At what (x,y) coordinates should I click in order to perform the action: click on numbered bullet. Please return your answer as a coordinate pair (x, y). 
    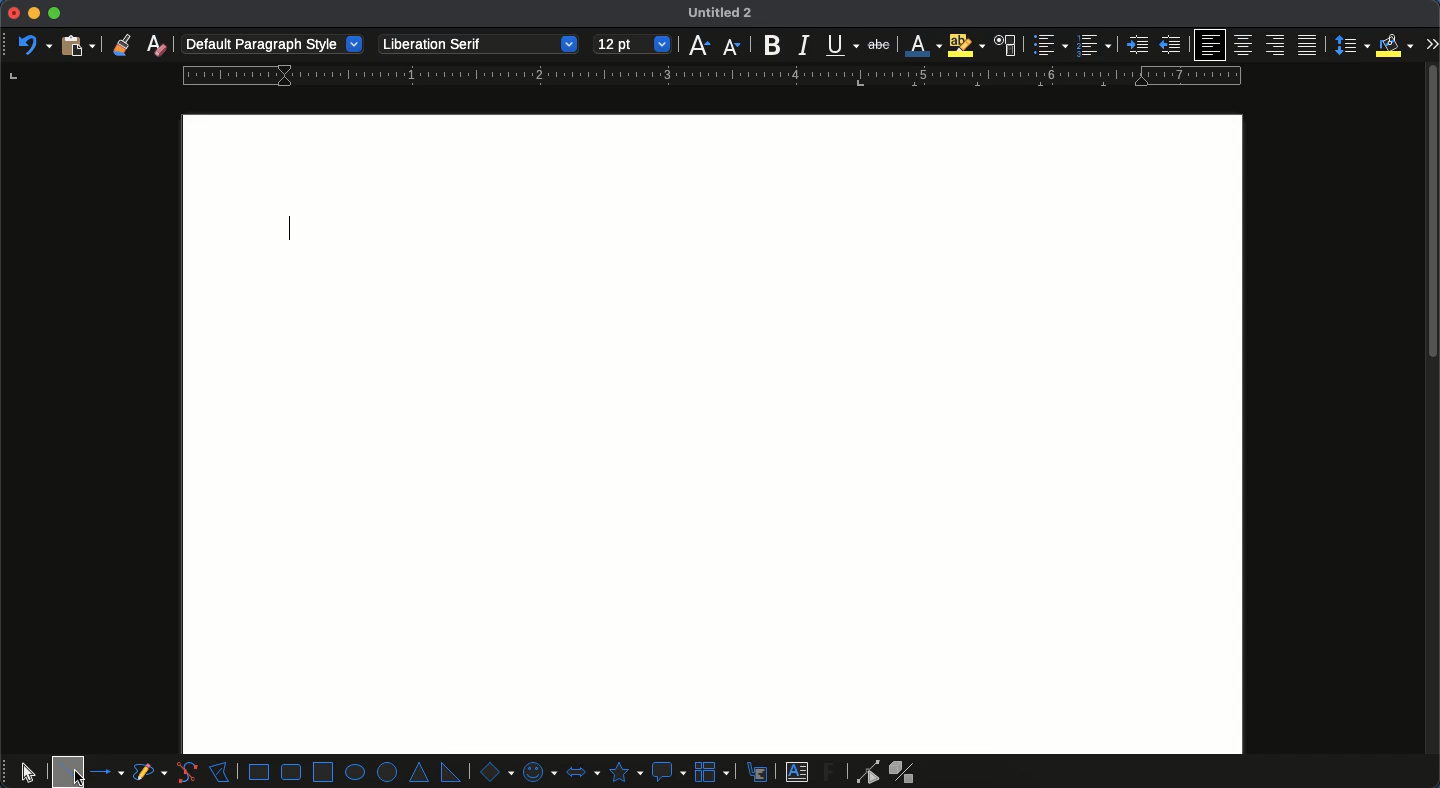
    Looking at the image, I should click on (1094, 45).